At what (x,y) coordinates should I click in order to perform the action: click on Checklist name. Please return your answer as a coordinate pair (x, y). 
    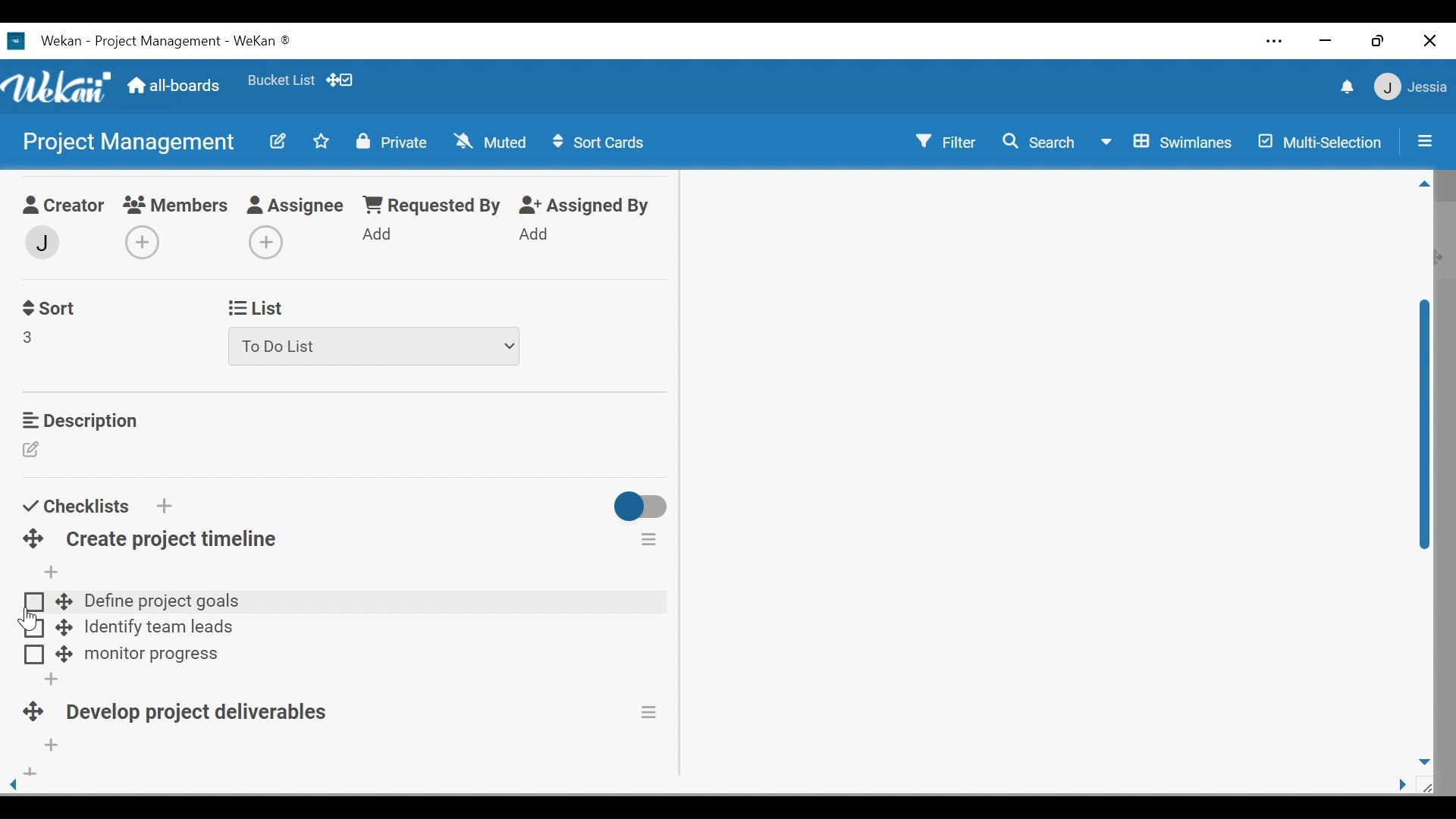
    Looking at the image, I should click on (171, 540).